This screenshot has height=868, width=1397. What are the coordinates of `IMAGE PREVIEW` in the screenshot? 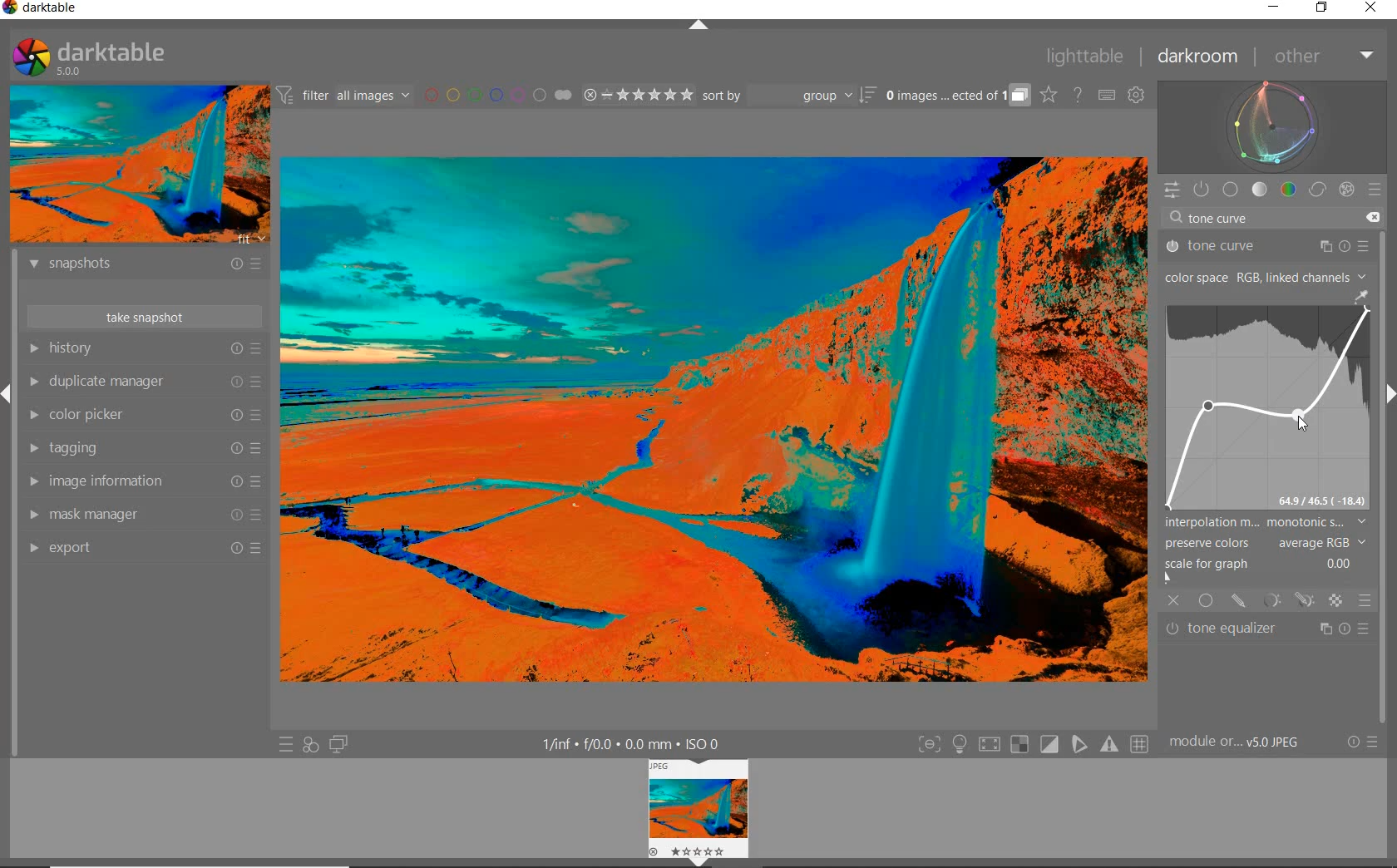 It's located at (137, 165).